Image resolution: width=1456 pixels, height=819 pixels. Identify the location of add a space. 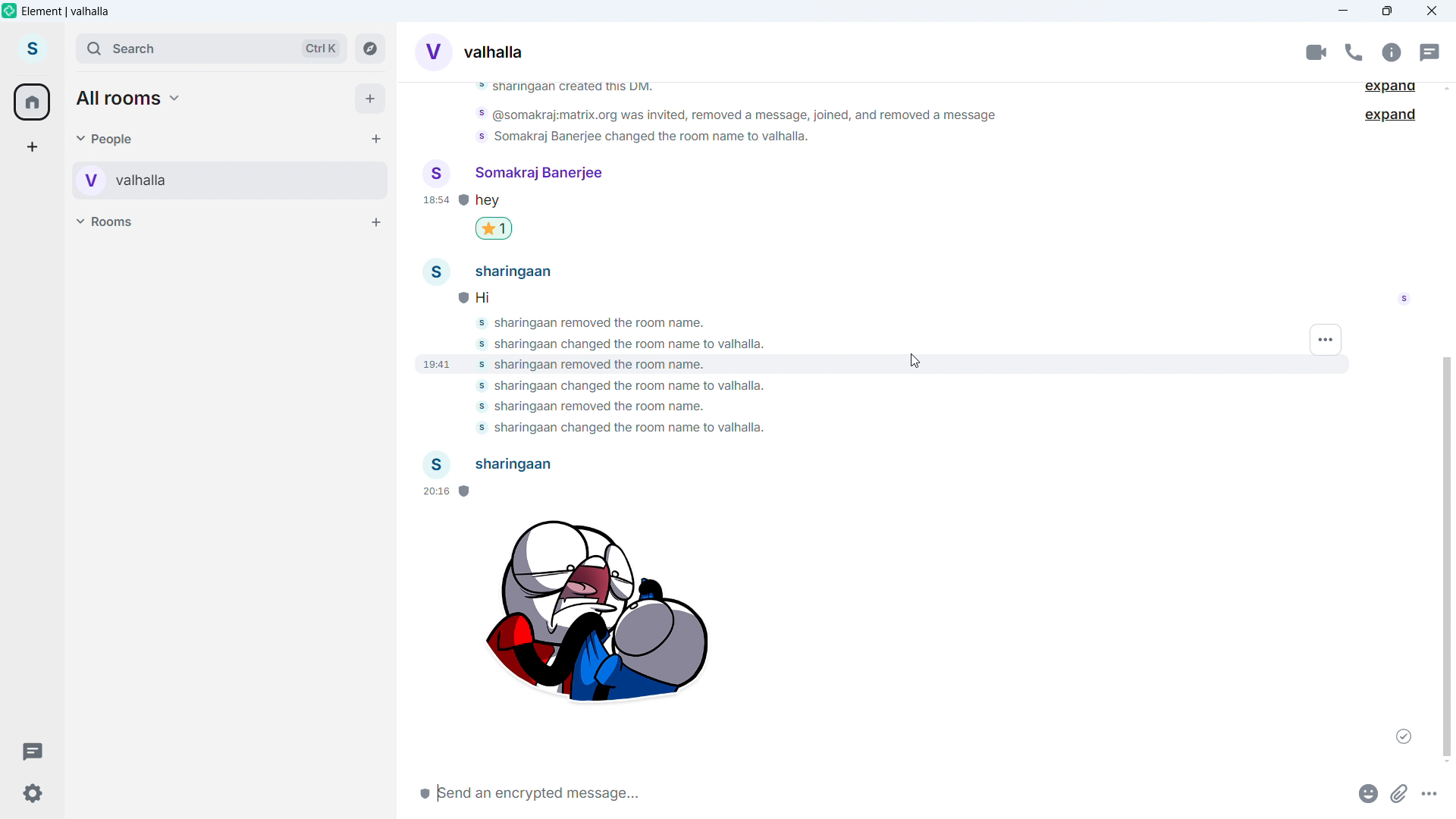
(32, 147).